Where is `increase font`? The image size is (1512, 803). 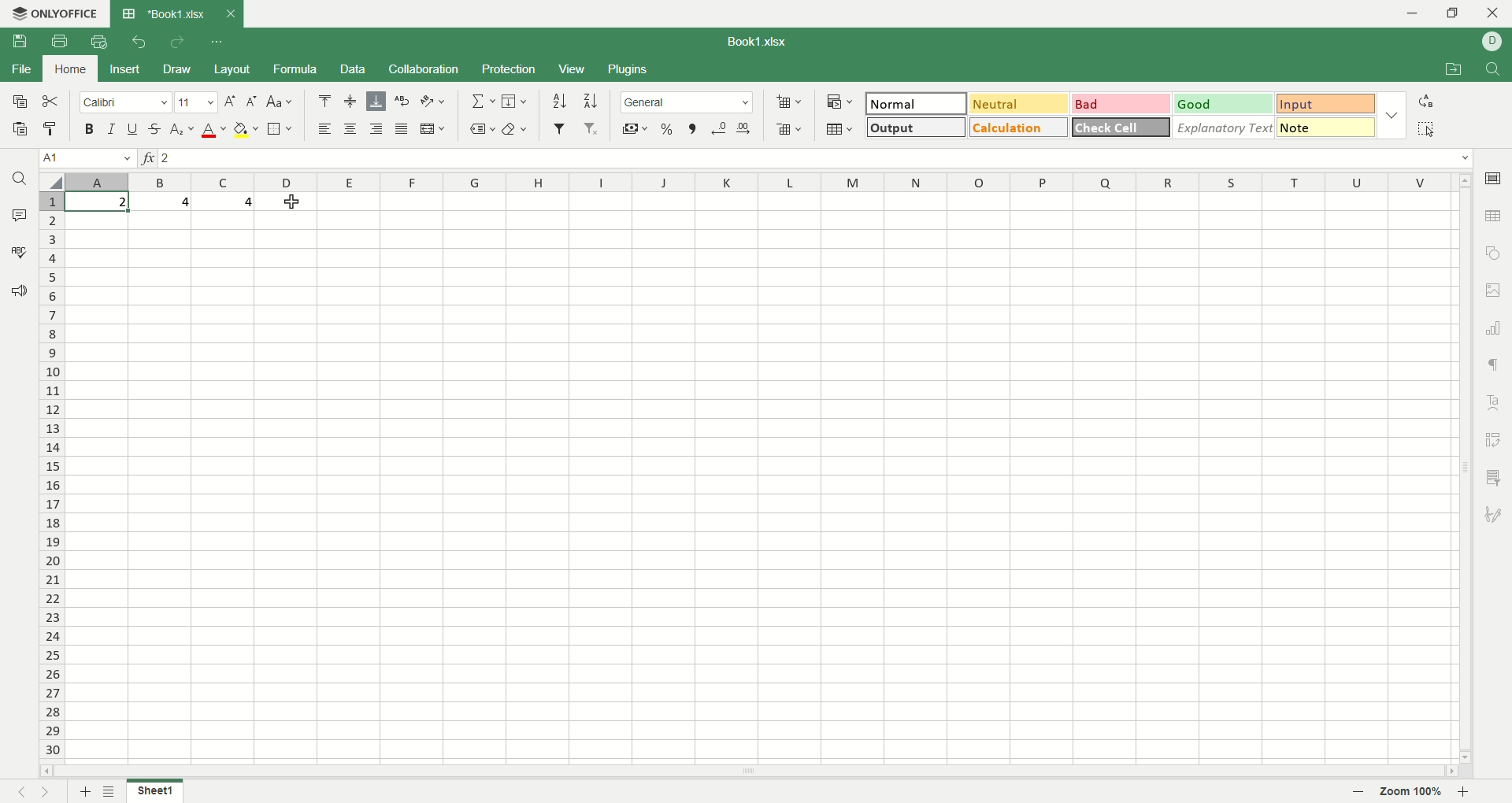 increase font is located at coordinates (230, 102).